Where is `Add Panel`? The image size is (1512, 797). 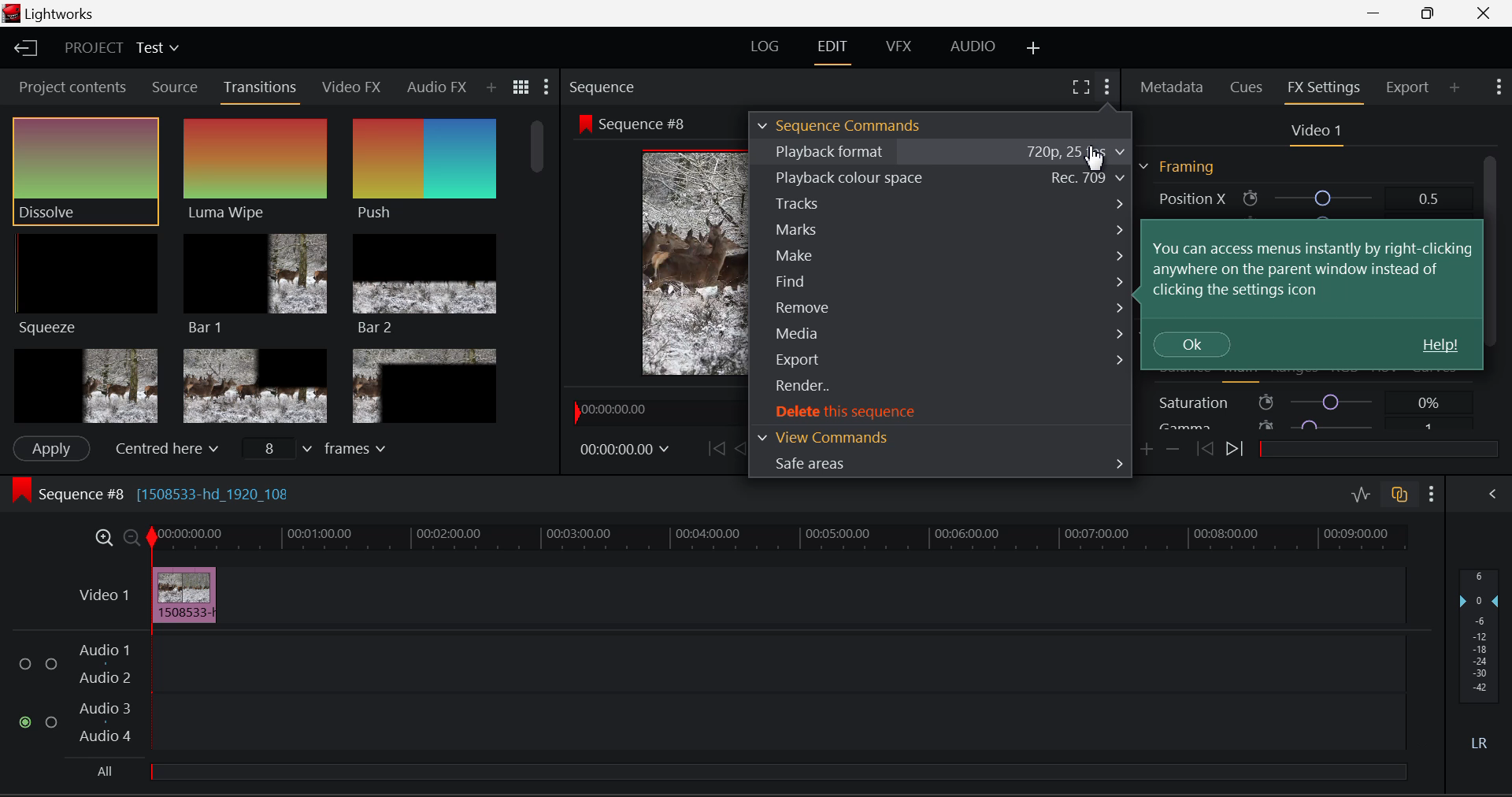 Add Panel is located at coordinates (492, 89).